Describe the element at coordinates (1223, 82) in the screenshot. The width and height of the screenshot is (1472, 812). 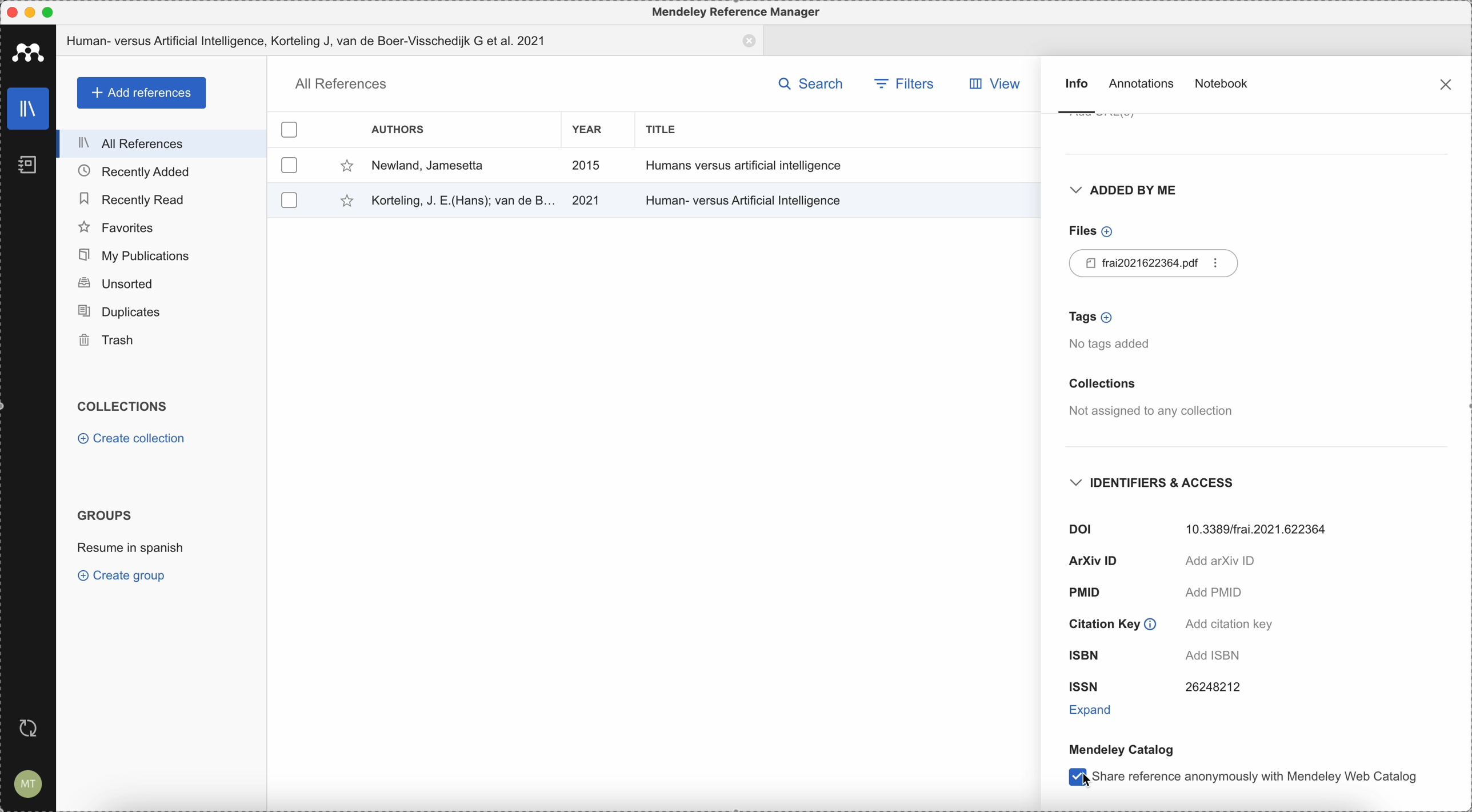
I see `notebook` at that location.